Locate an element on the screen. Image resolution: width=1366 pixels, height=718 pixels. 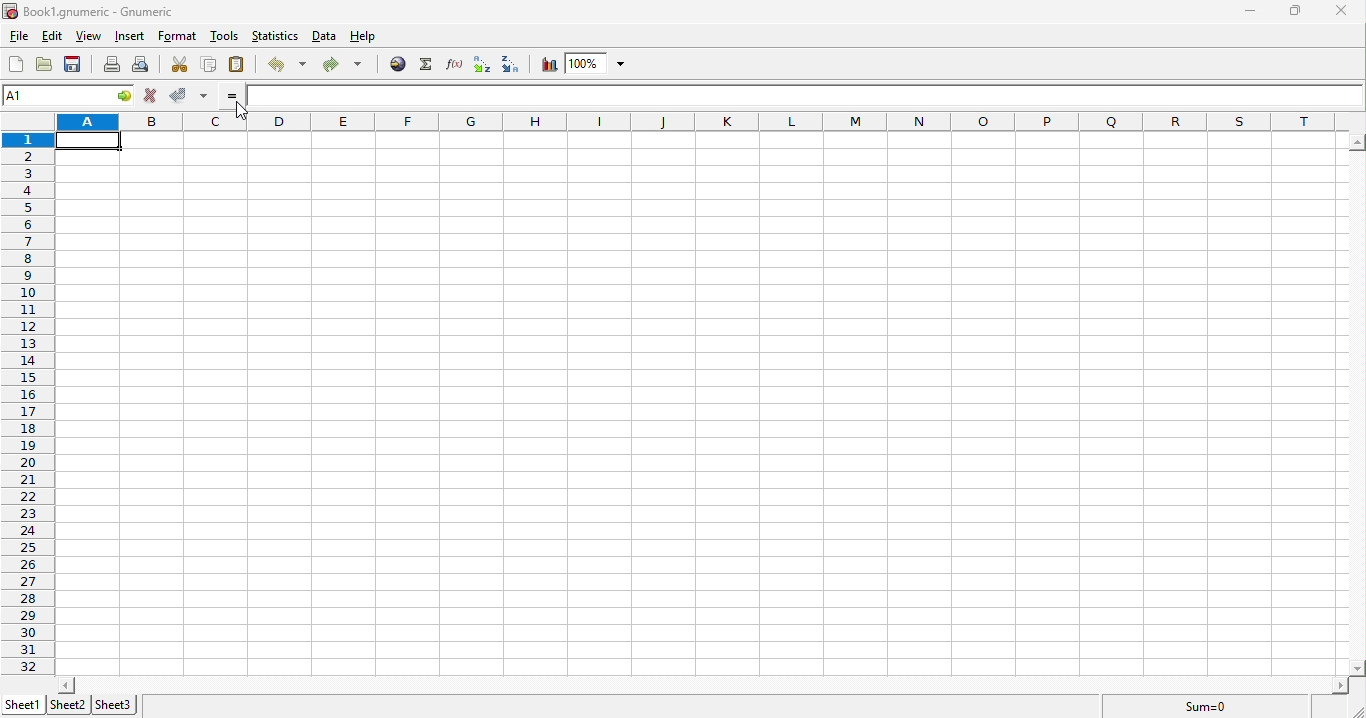
paste is located at coordinates (236, 64).